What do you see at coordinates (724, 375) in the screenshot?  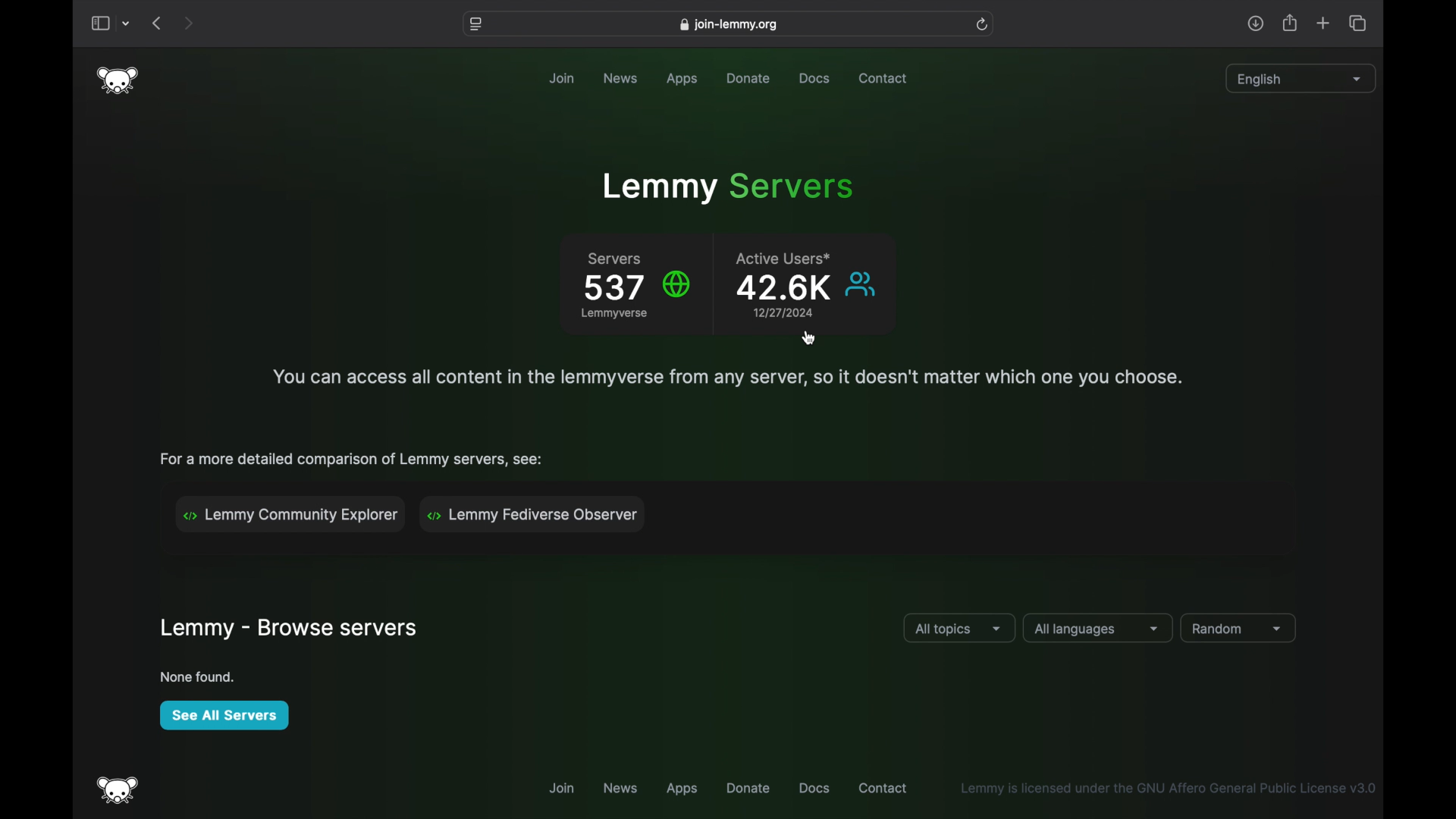 I see `You can access all content in the lemmyverse from any server, so it doesn't matter which one you choose.` at bounding box center [724, 375].